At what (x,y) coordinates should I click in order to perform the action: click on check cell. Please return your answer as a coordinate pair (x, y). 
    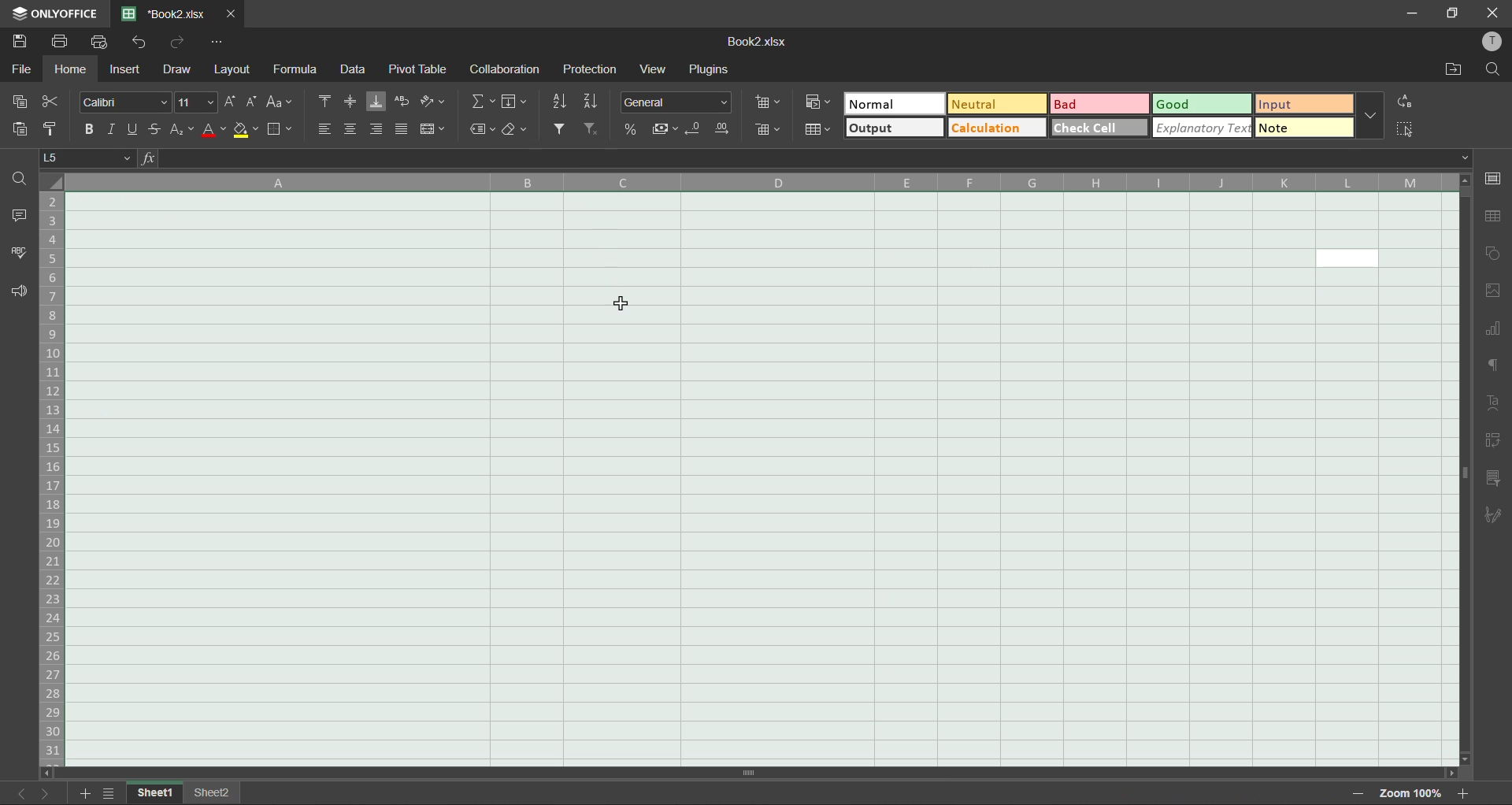
    Looking at the image, I should click on (1101, 128).